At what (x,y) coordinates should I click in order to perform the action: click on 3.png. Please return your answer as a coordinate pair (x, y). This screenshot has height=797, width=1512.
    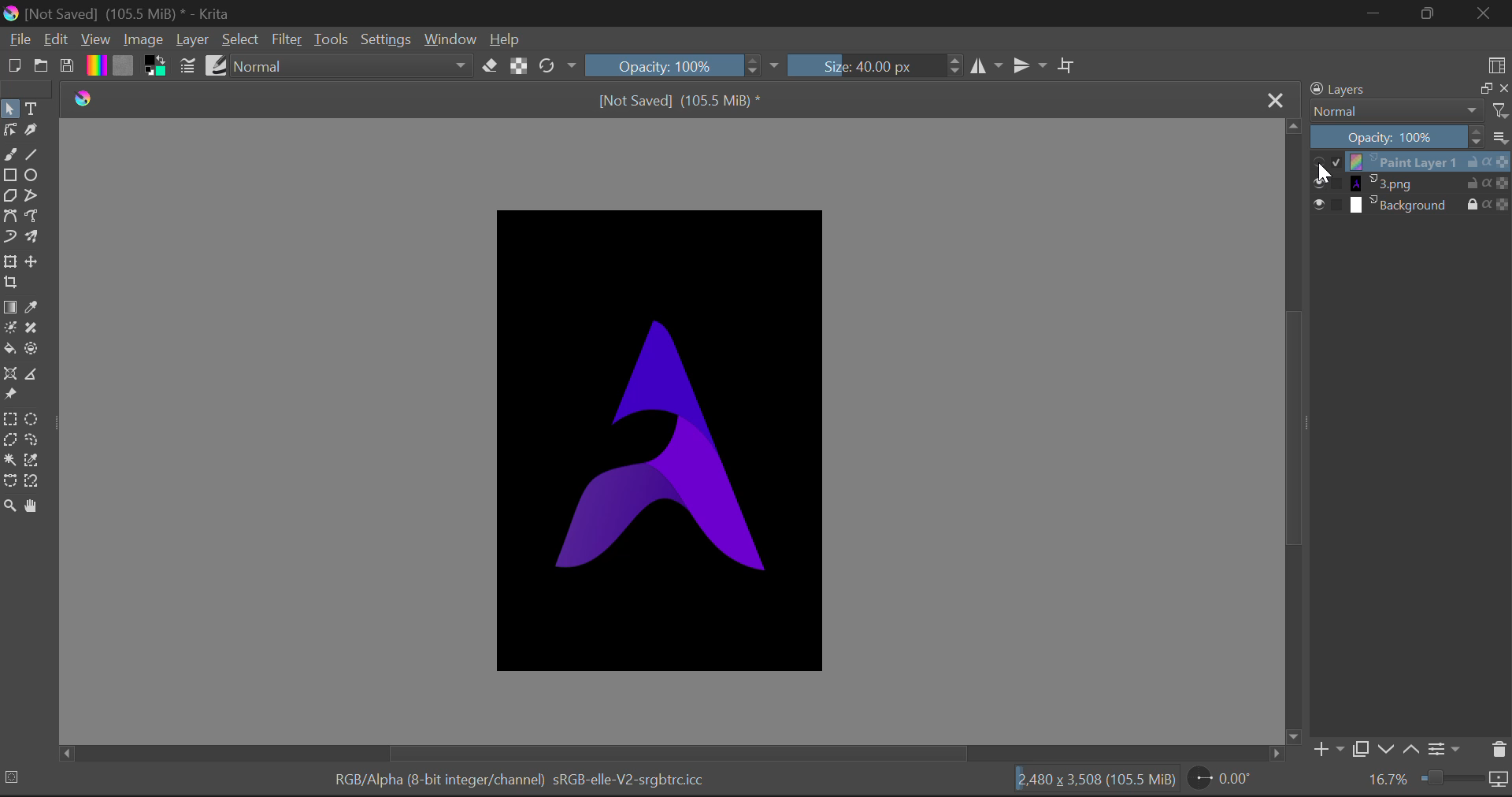
    Looking at the image, I should click on (1403, 183).